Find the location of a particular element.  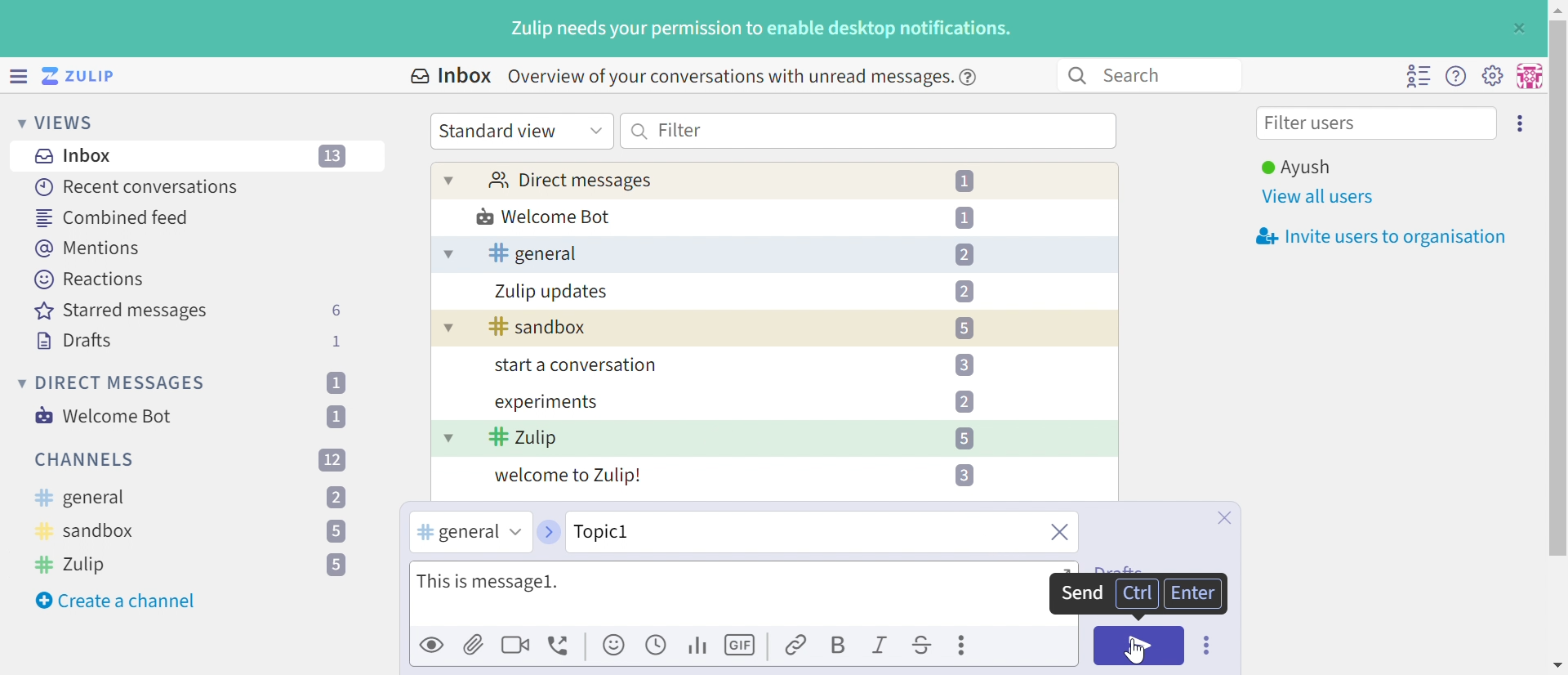

close is located at coordinates (1058, 534).